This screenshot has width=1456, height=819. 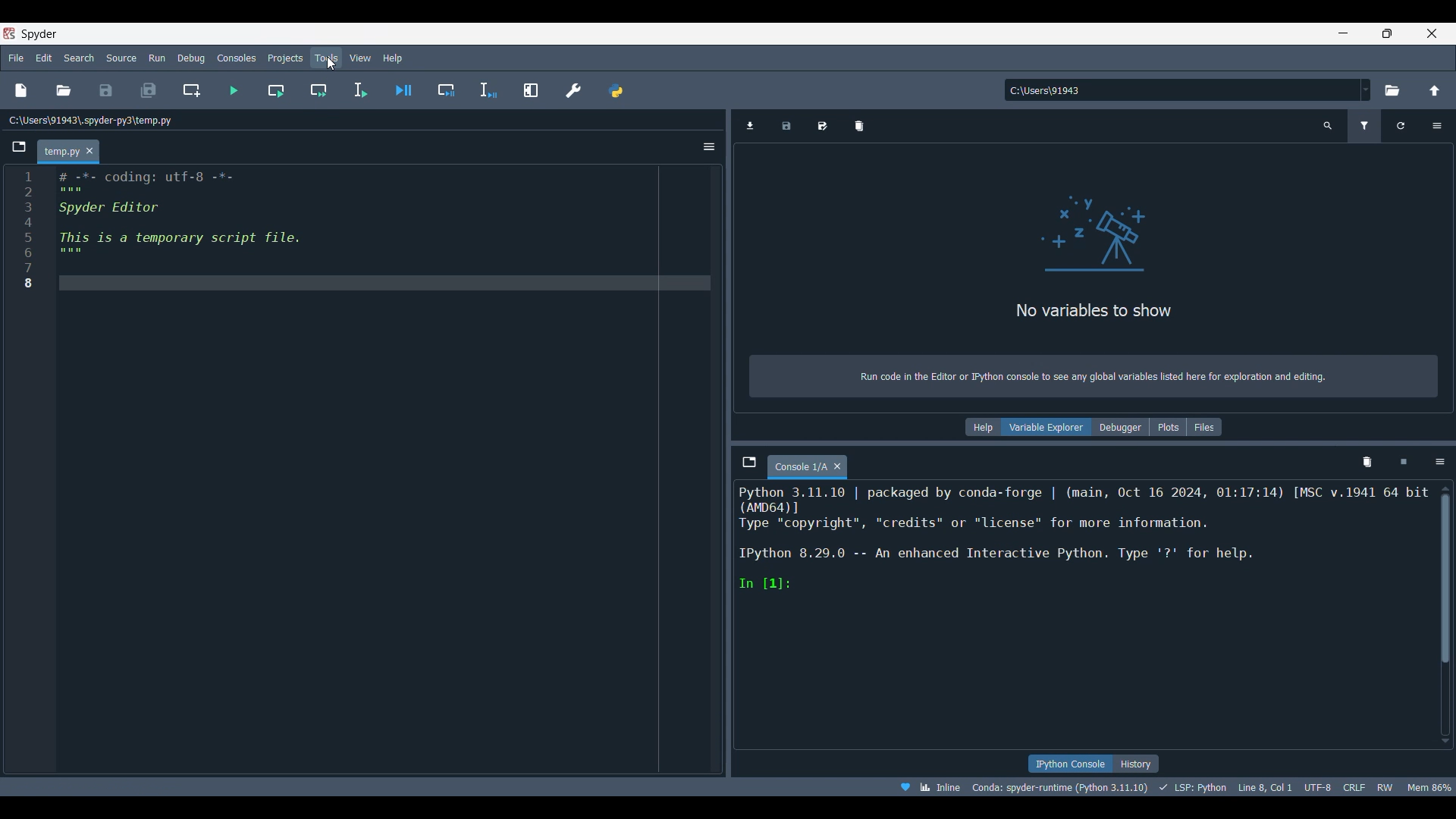 What do you see at coordinates (192, 90) in the screenshot?
I see `Create new cell at the current line` at bounding box center [192, 90].